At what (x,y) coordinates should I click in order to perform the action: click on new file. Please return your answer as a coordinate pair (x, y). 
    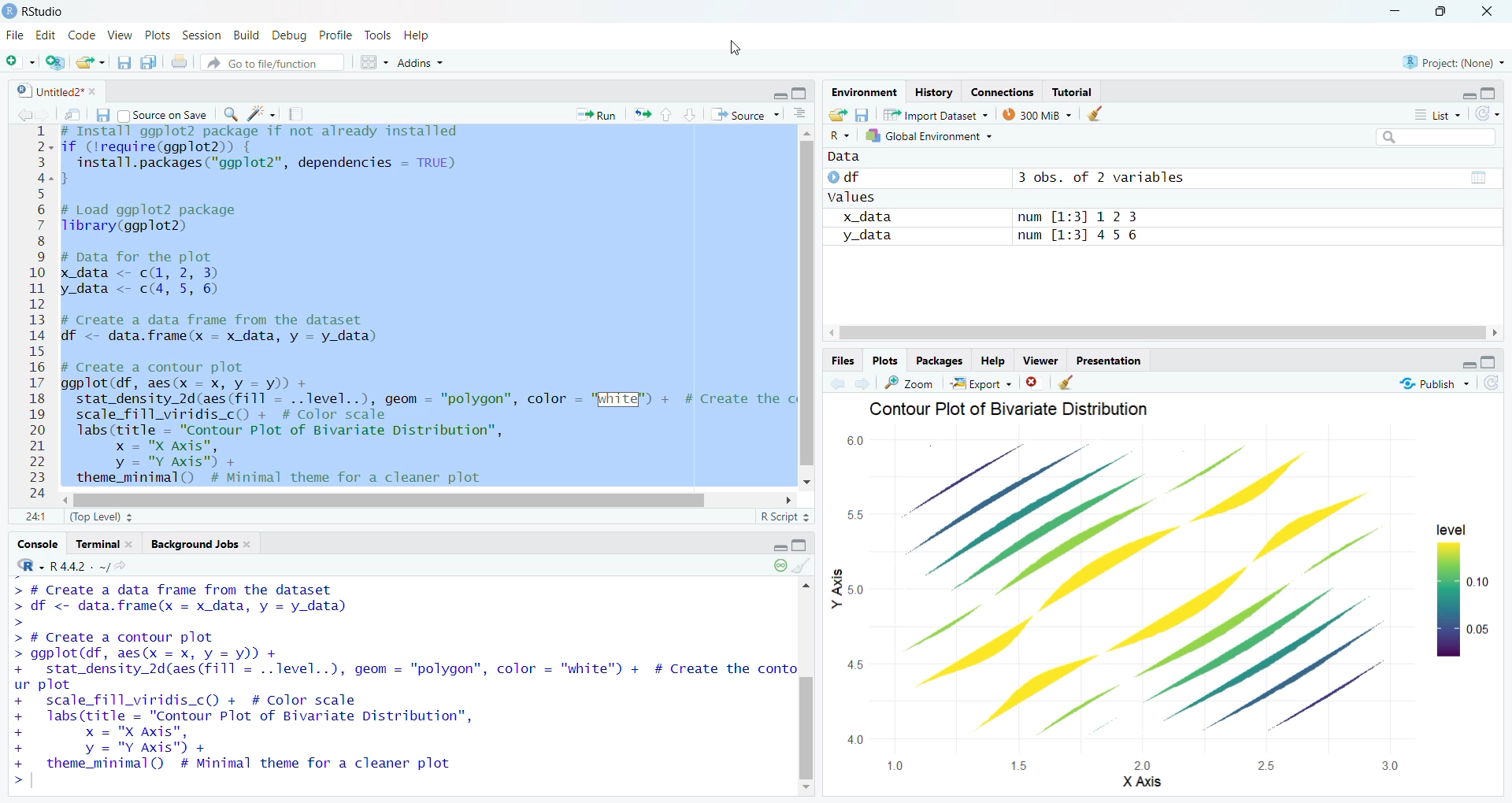
    Looking at the image, I should click on (18, 61).